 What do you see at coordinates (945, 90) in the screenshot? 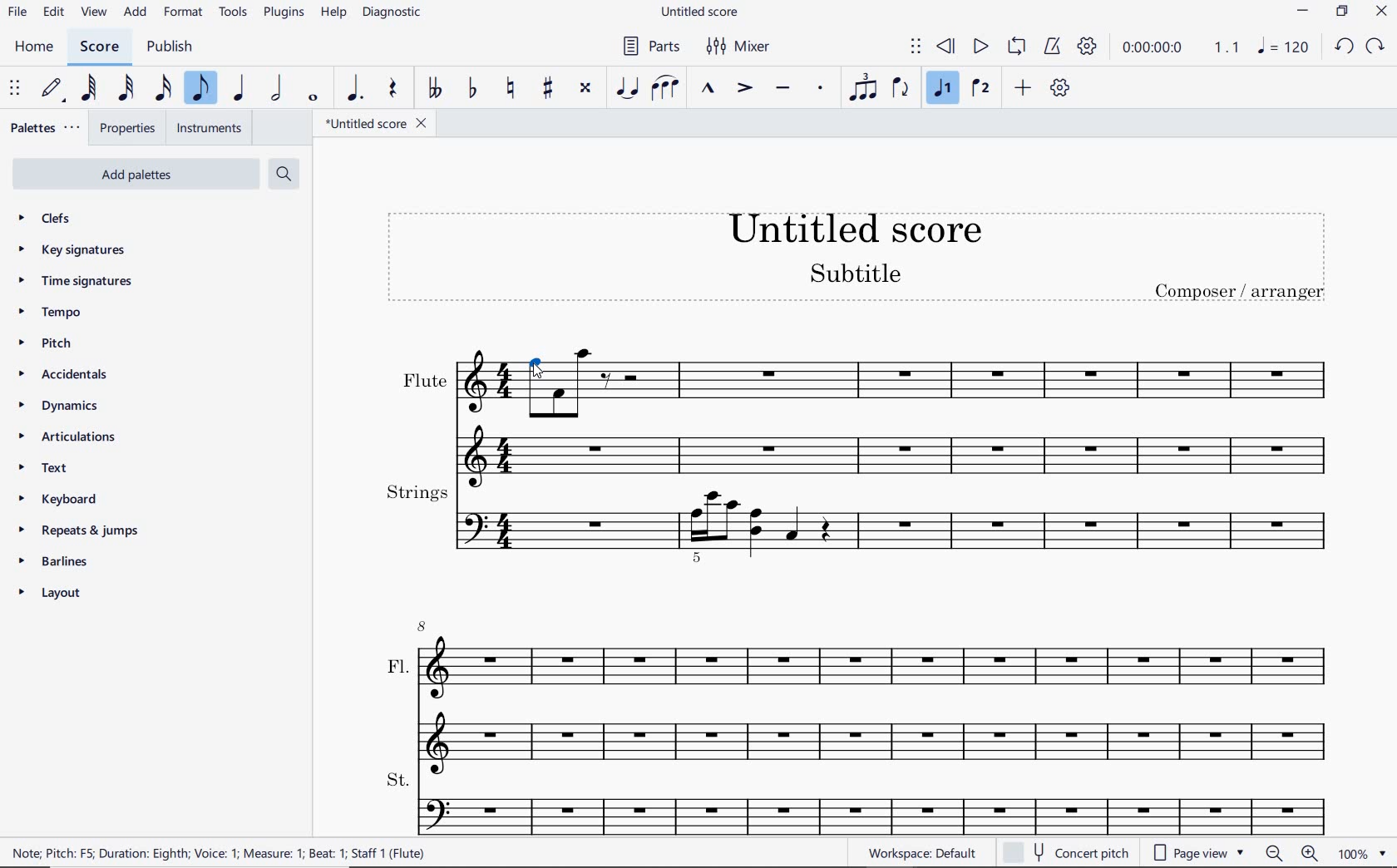
I see `VOICE 1` at bounding box center [945, 90].